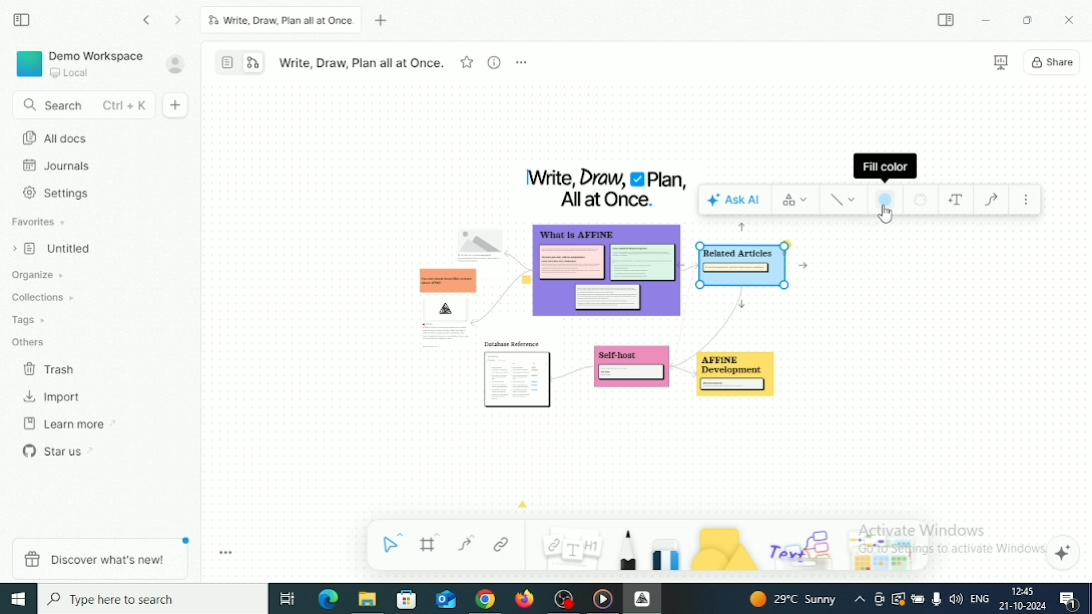 This screenshot has width=1092, height=614. Describe the element at coordinates (480, 239) in the screenshot. I see `Image` at that location.